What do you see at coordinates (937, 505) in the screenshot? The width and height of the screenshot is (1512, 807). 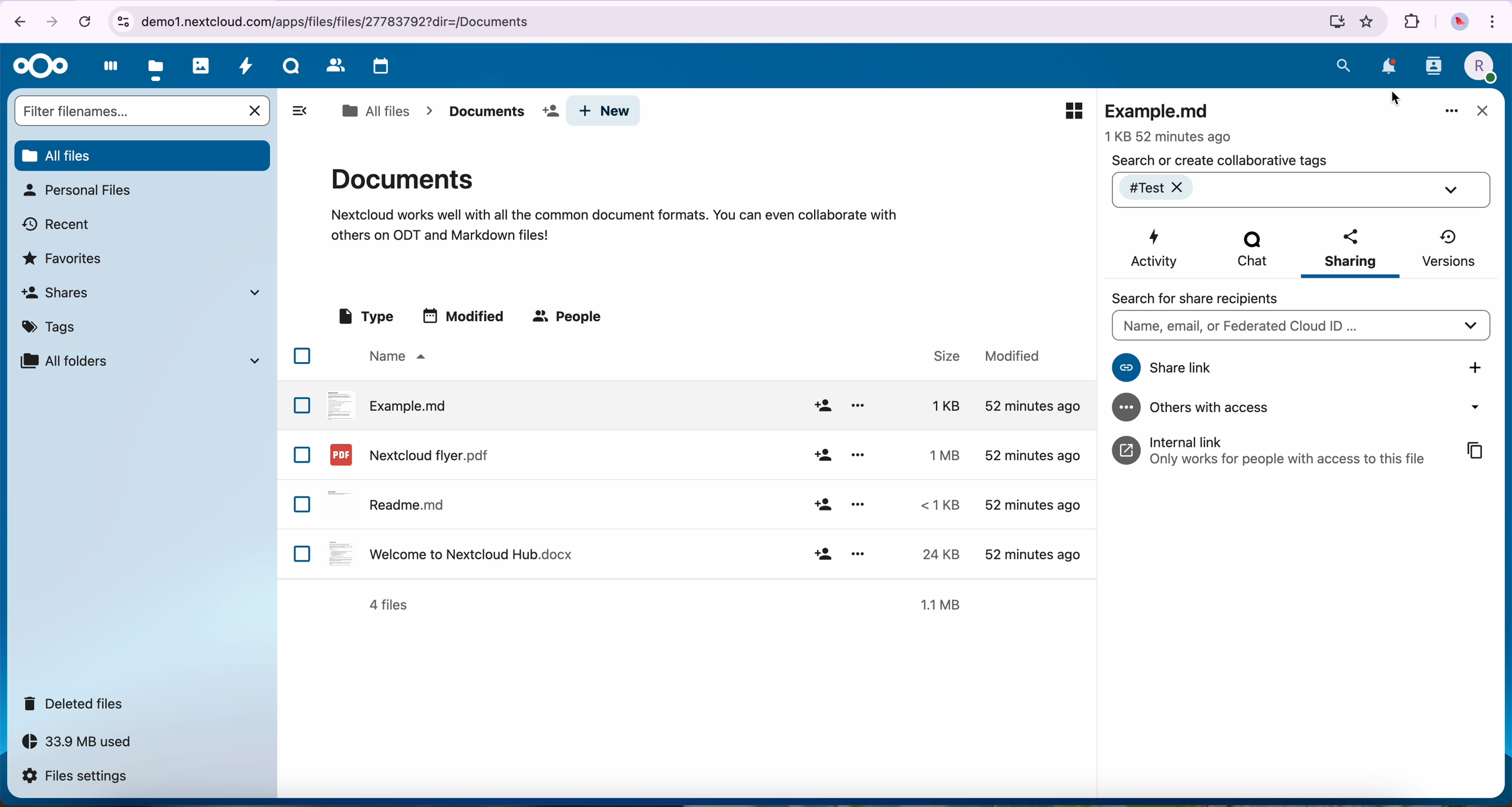 I see `size` at bounding box center [937, 505].